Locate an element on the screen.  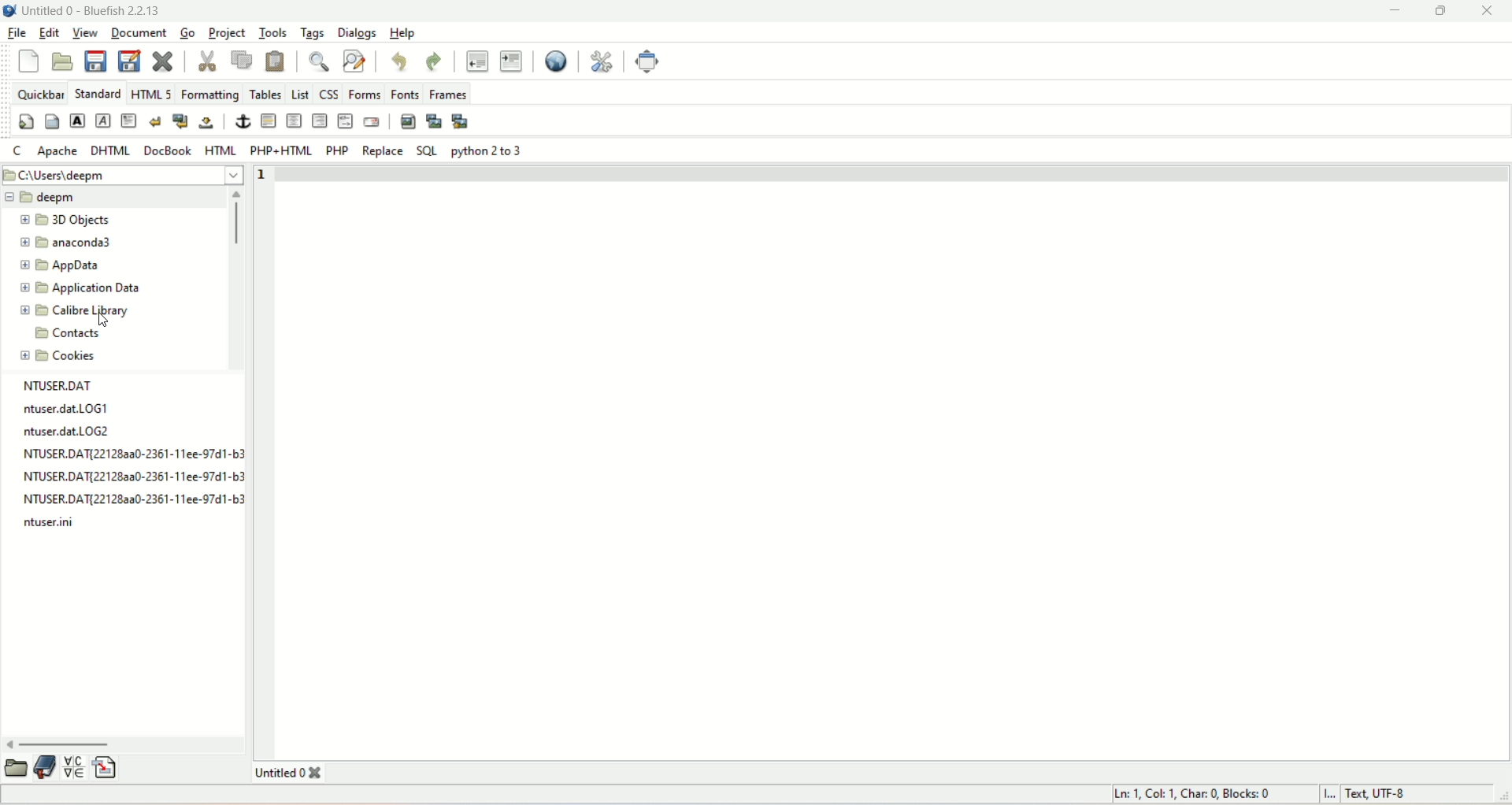
cut is located at coordinates (207, 59).